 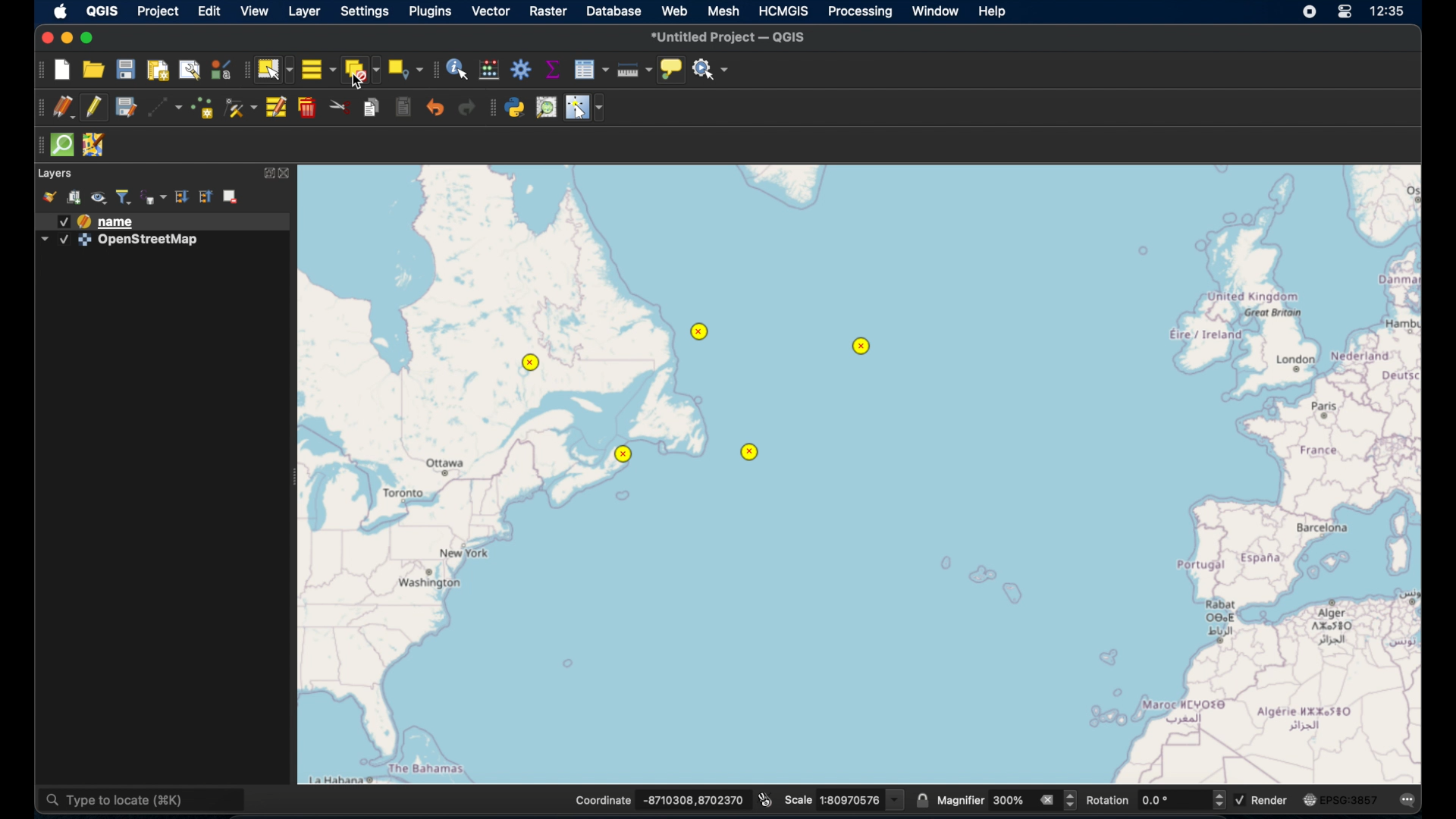 I want to click on selected point, so click(x=701, y=331).